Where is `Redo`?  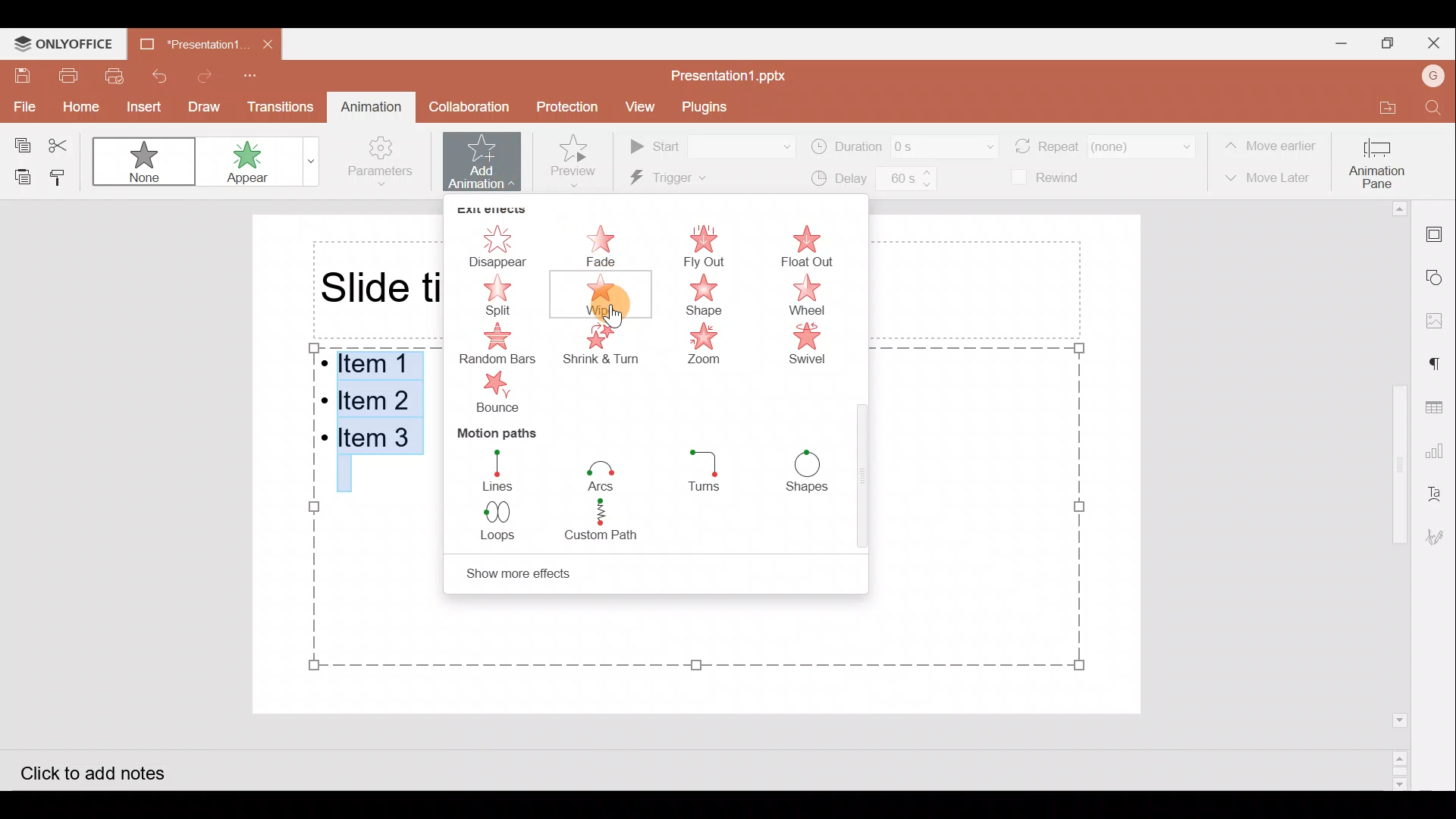
Redo is located at coordinates (204, 76).